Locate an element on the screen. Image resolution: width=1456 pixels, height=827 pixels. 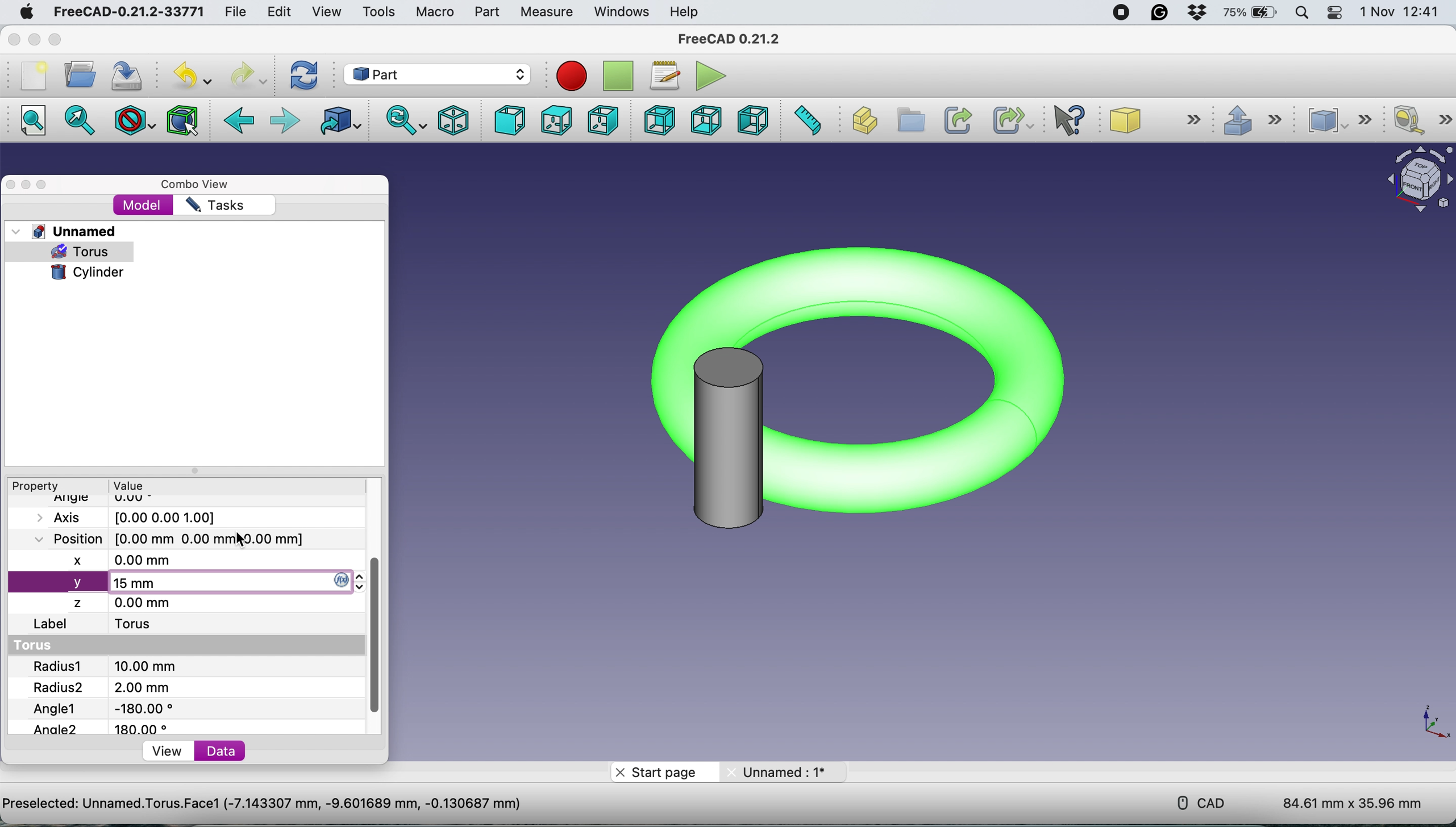
create sub link is located at coordinates (1009, 121).